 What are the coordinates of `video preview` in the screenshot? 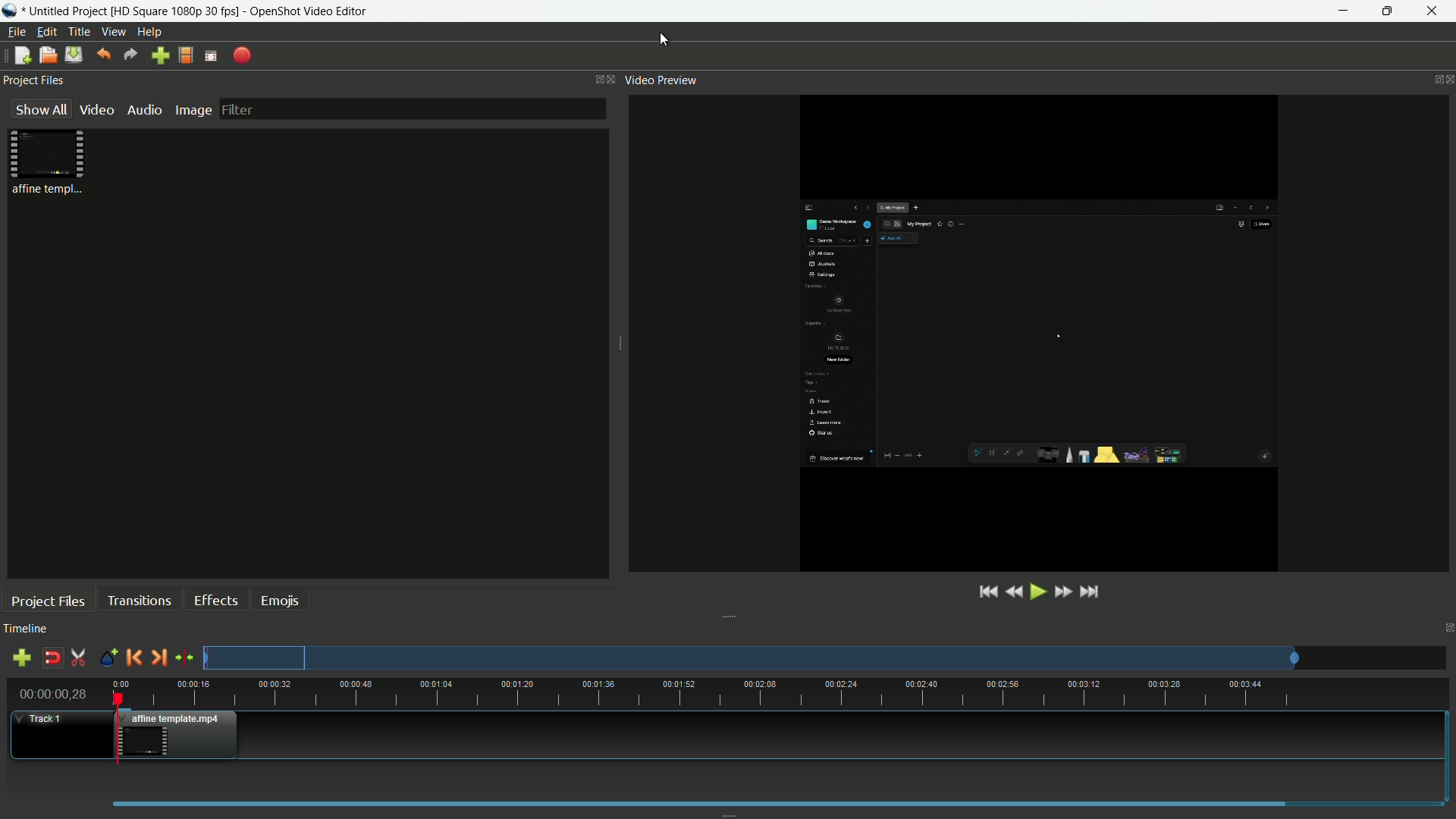 It's located at (1054, 331).